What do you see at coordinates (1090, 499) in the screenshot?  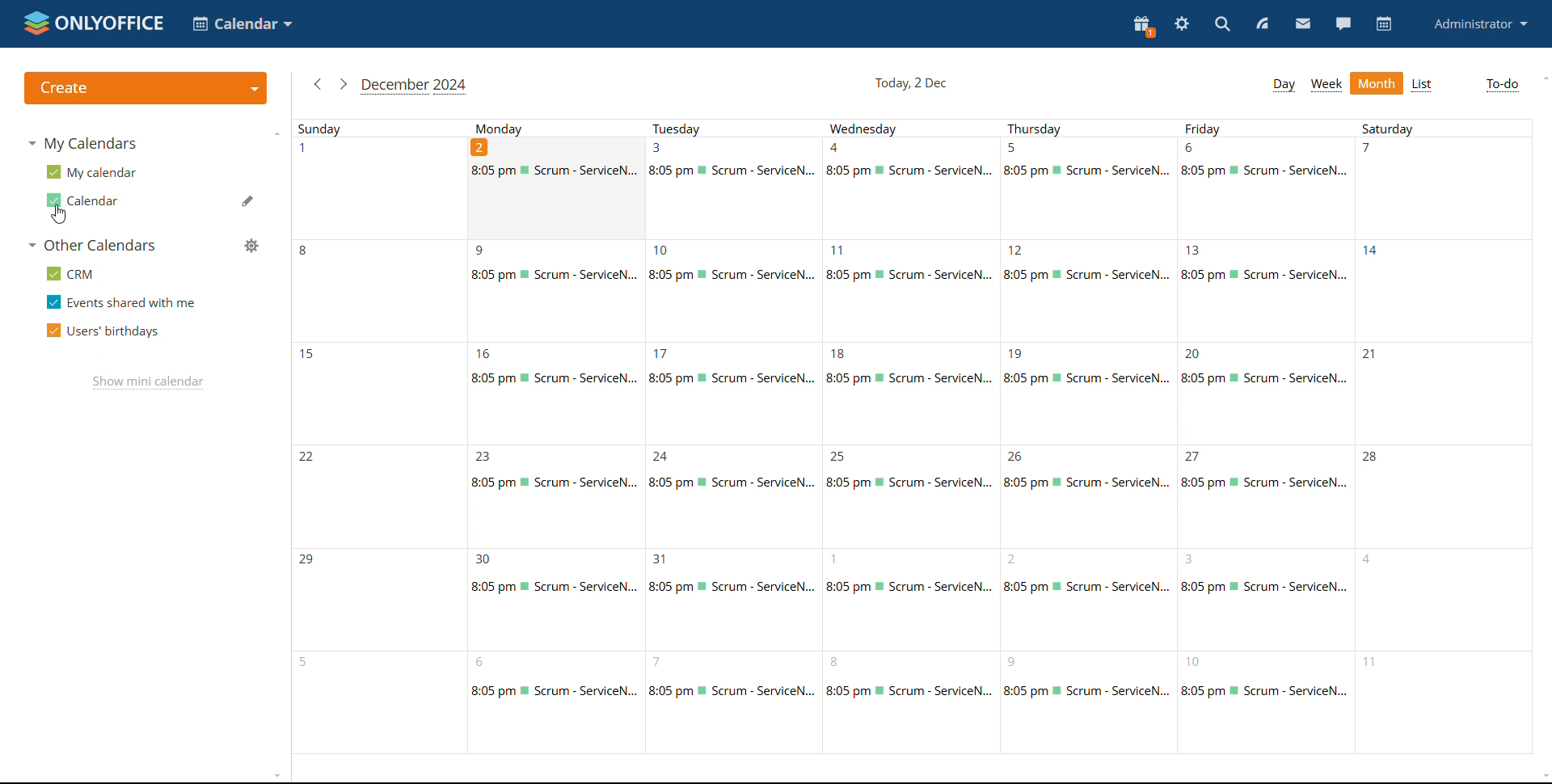 I see `26` at bounding box center [1090, 499].